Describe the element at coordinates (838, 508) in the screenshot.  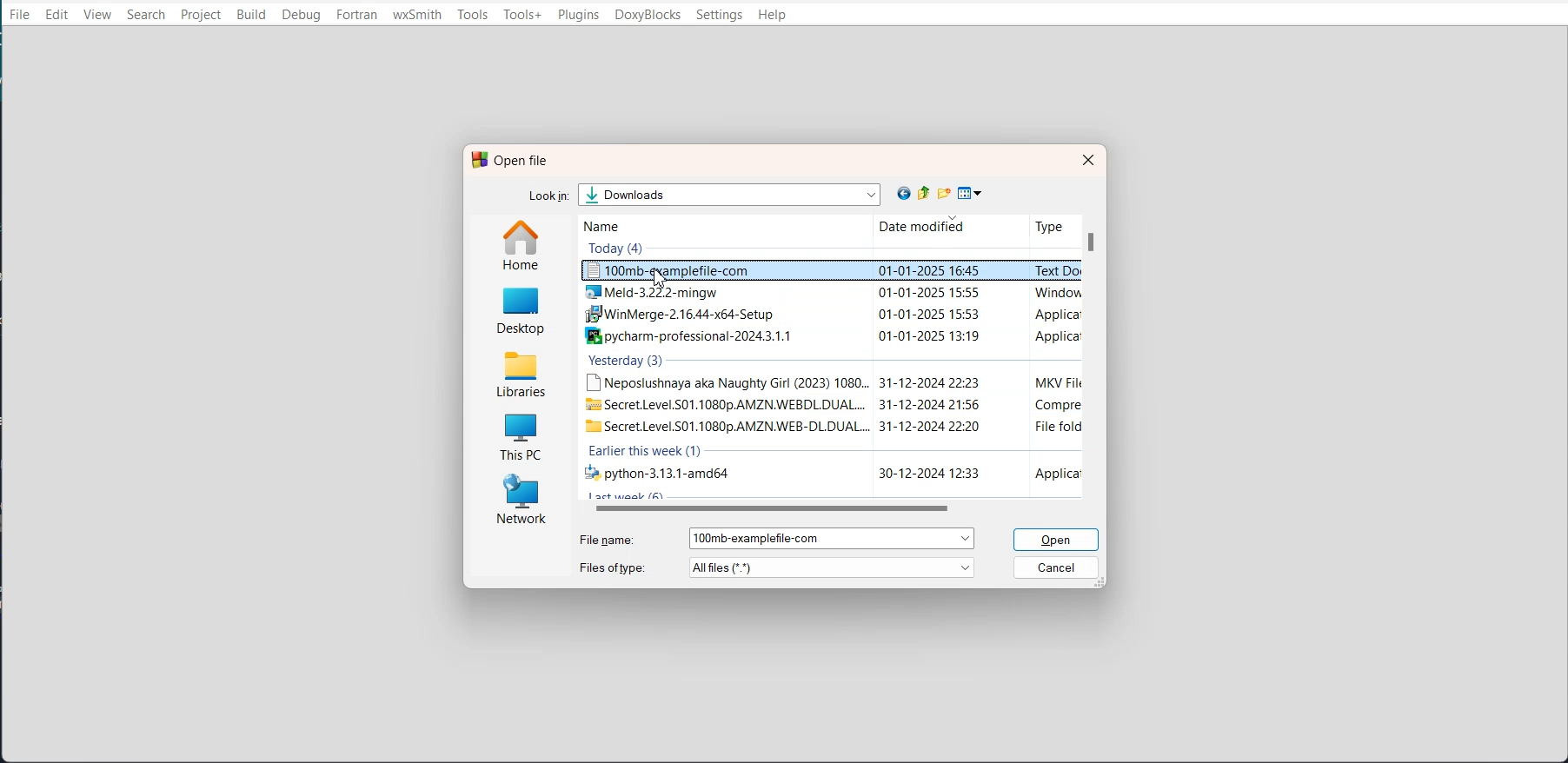
I see `Horizontal scroll bar` at that location.